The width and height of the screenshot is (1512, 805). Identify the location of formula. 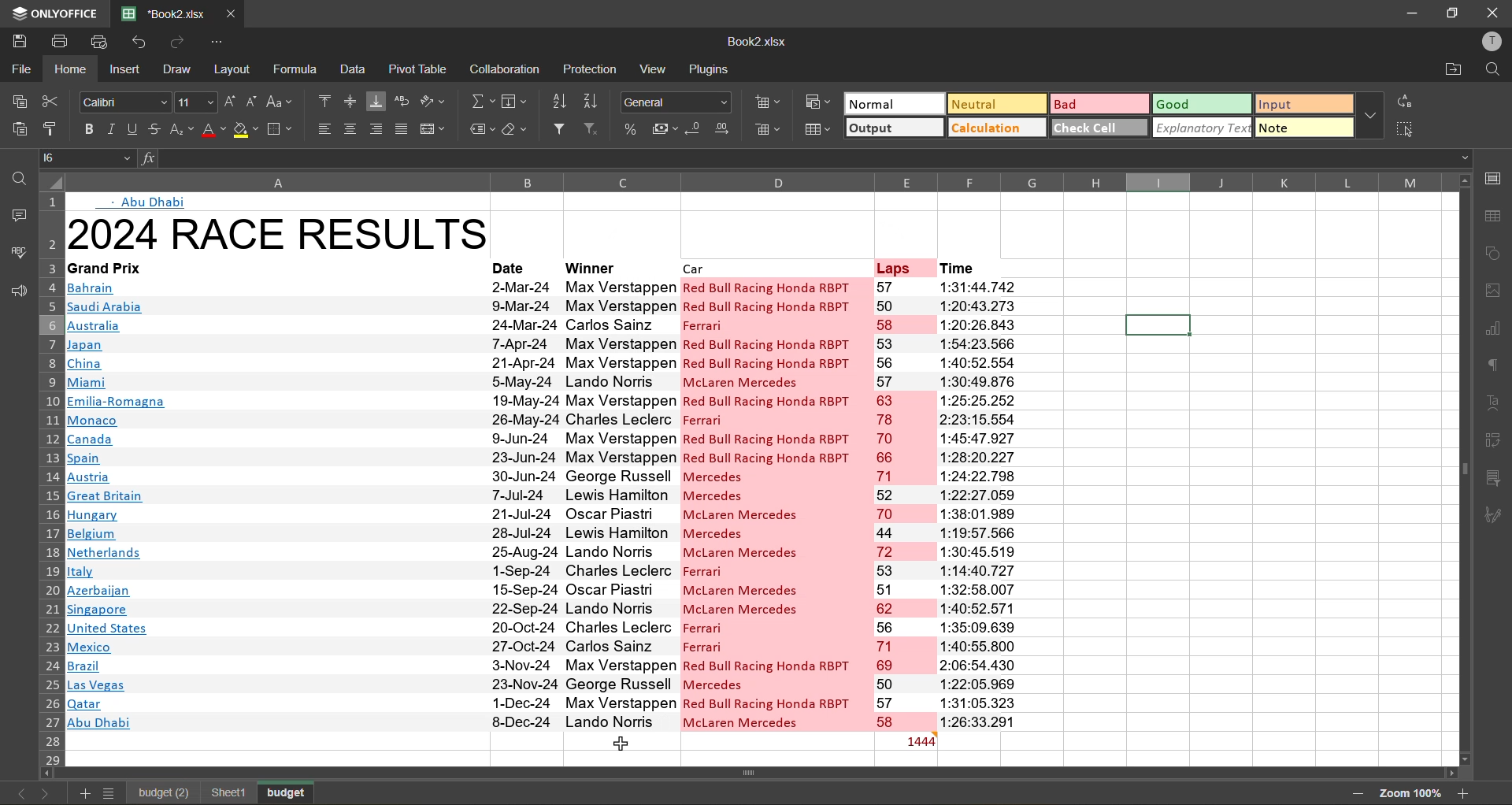
(297, 69).